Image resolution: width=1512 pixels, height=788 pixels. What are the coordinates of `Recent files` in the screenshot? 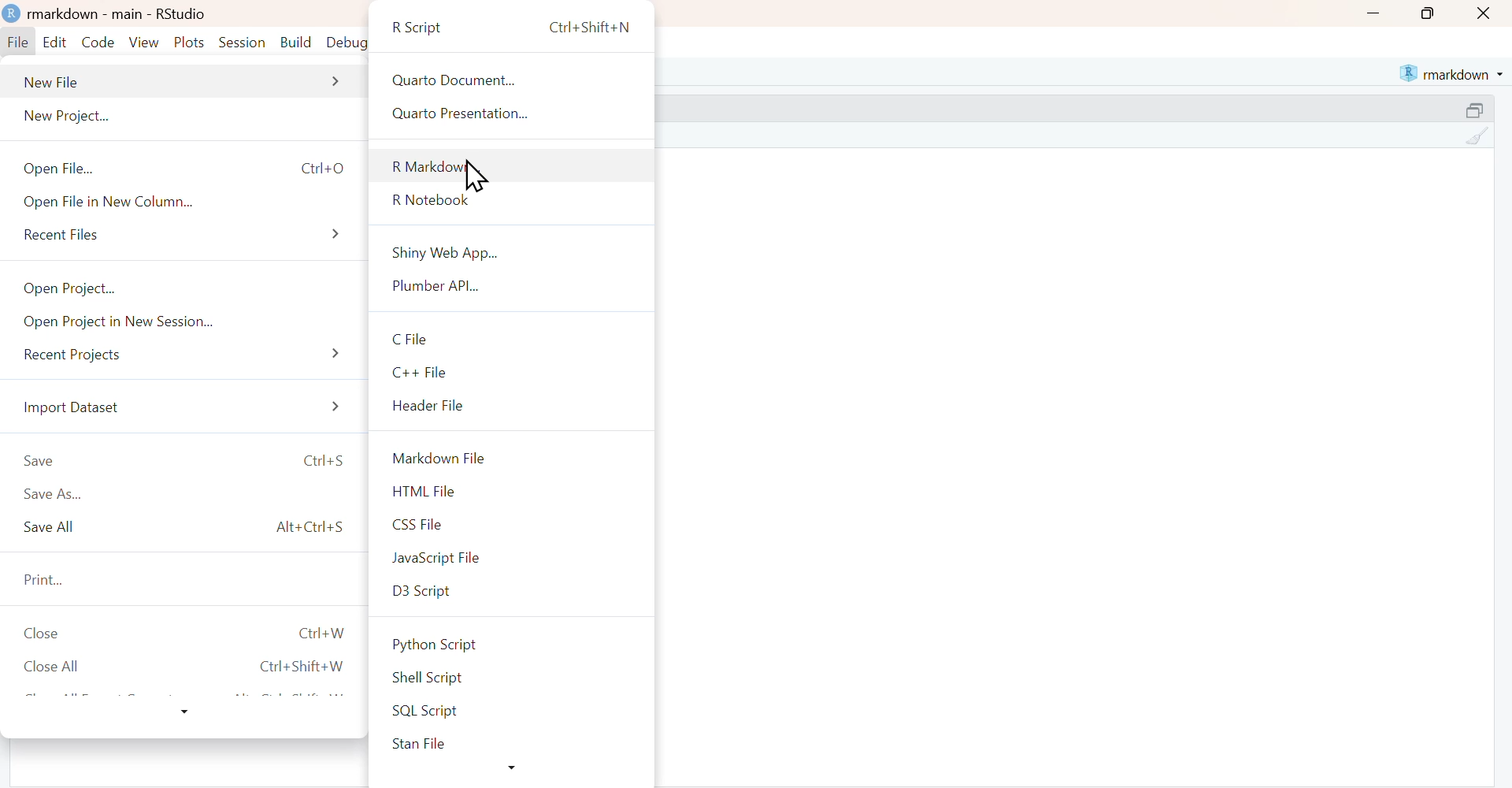 It's located at (194, 236).